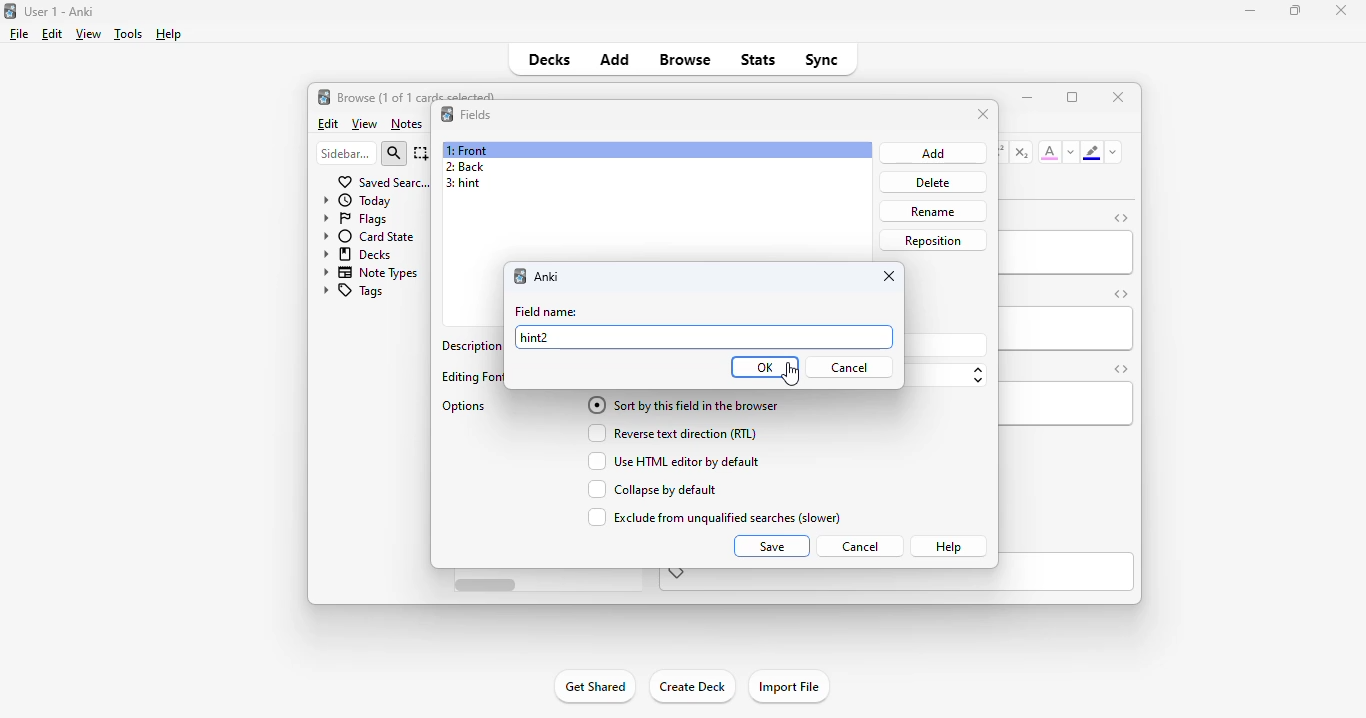 This screenshot has height=718, width=1366. Describe the element at coordinates (464, 166) in the screenshot. I see `2: back` at that location.